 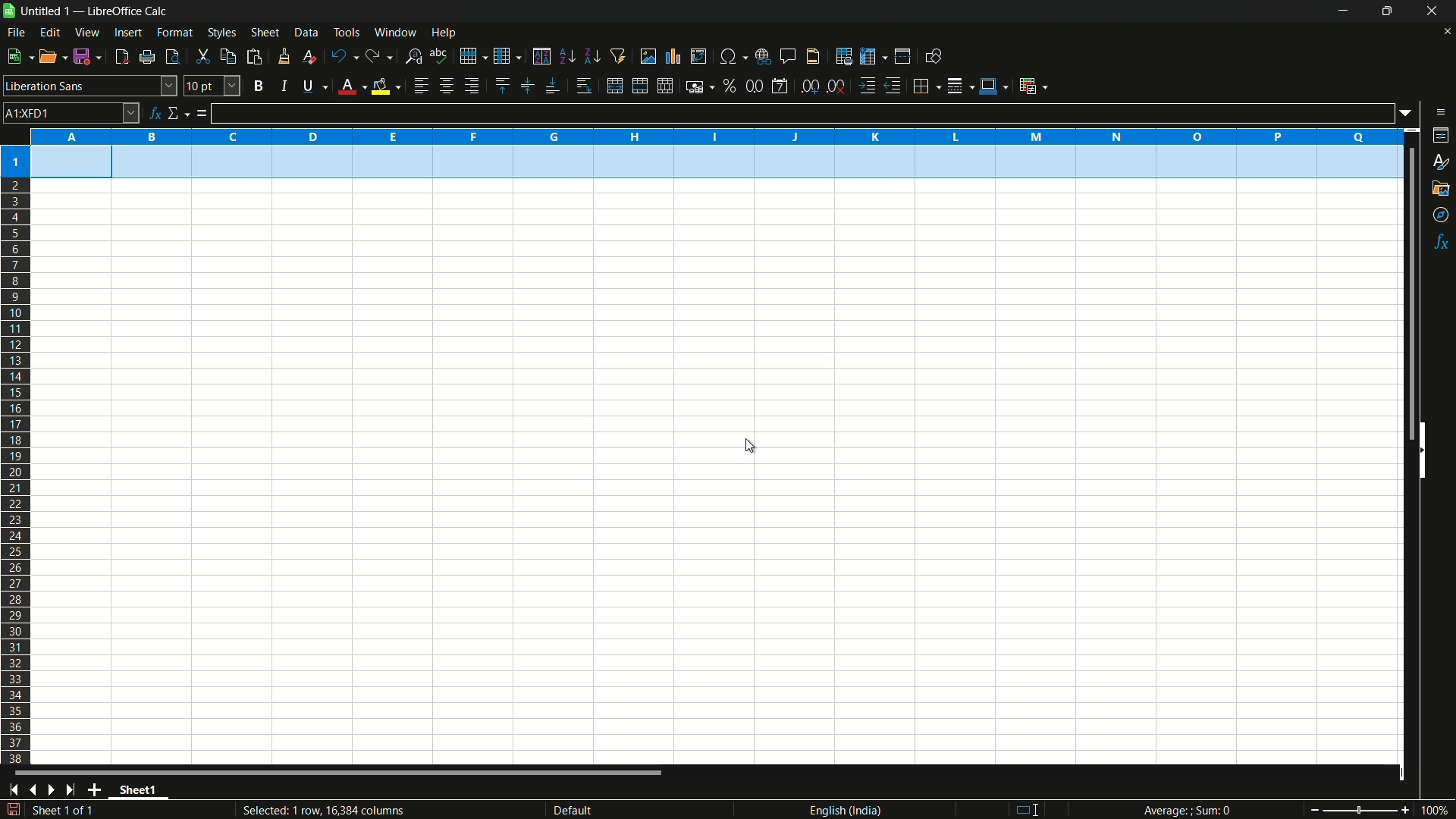 I want to click on cursor, so click(x=750, y=446).